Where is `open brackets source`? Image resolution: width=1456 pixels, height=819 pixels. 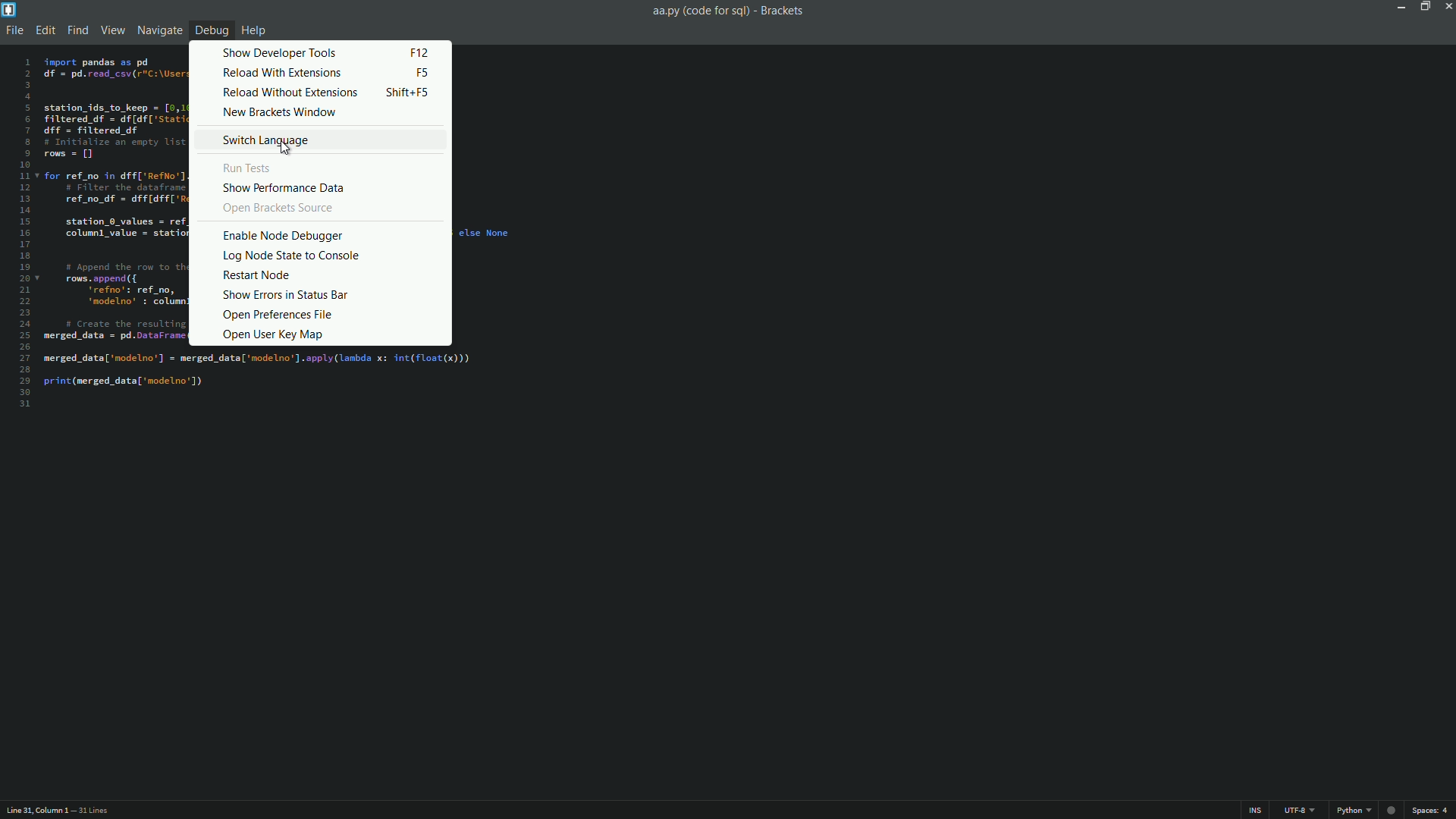 open brackets source is located at coordinates (281, 208).